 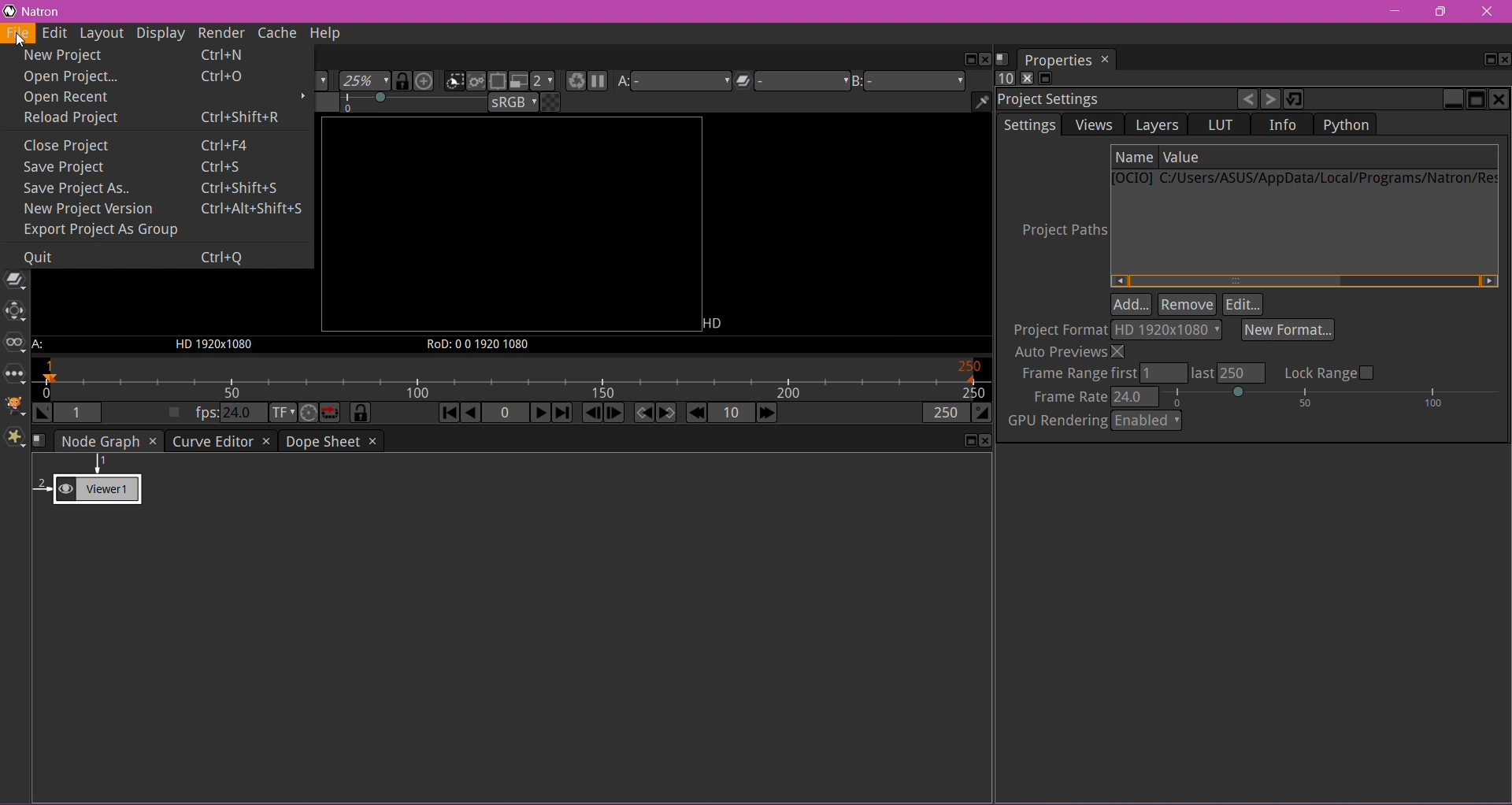 I want to click on Merge, so click(x=15, y=281).